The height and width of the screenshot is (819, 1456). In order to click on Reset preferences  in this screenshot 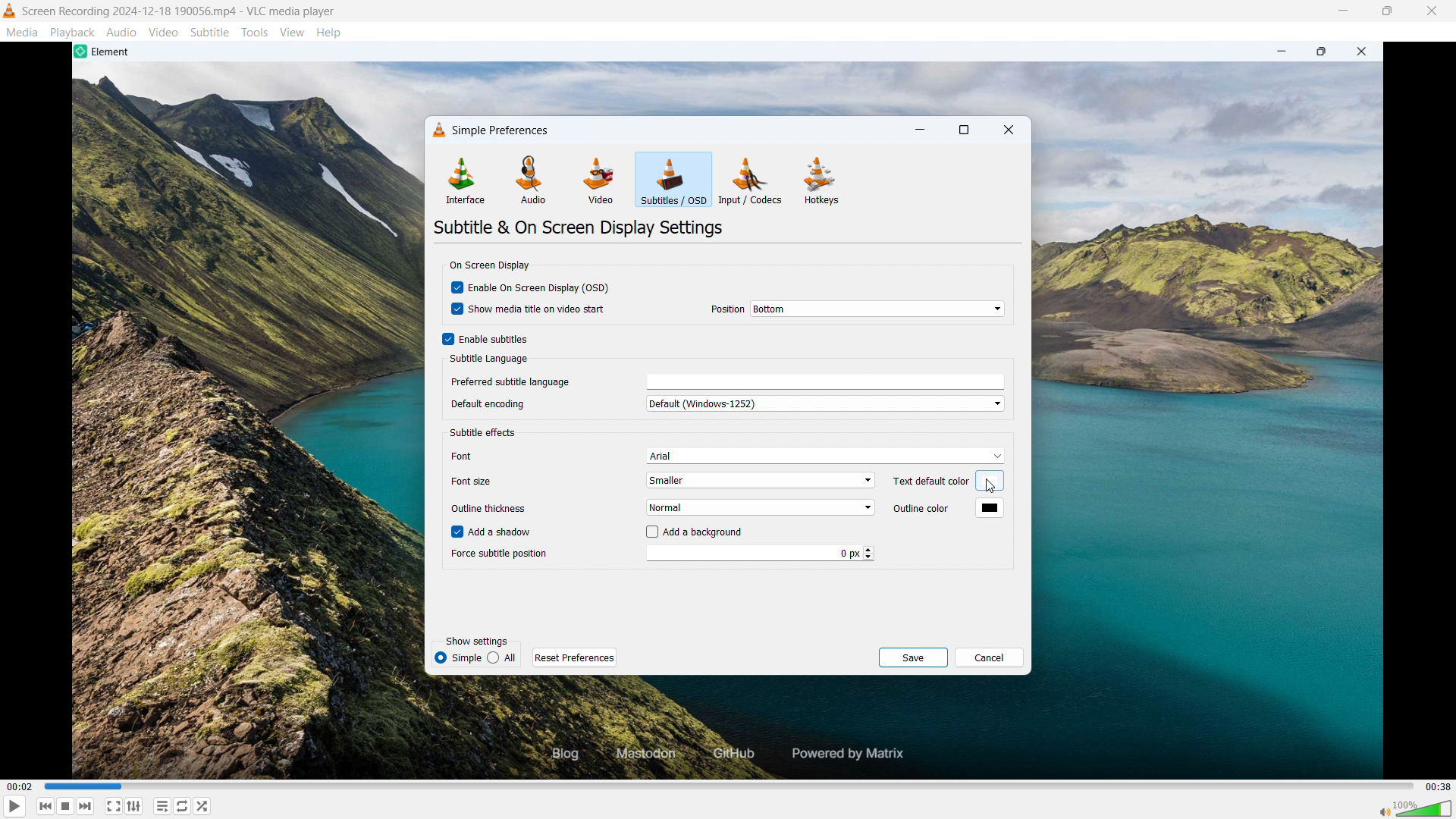, I will do `click(575, 657)`.